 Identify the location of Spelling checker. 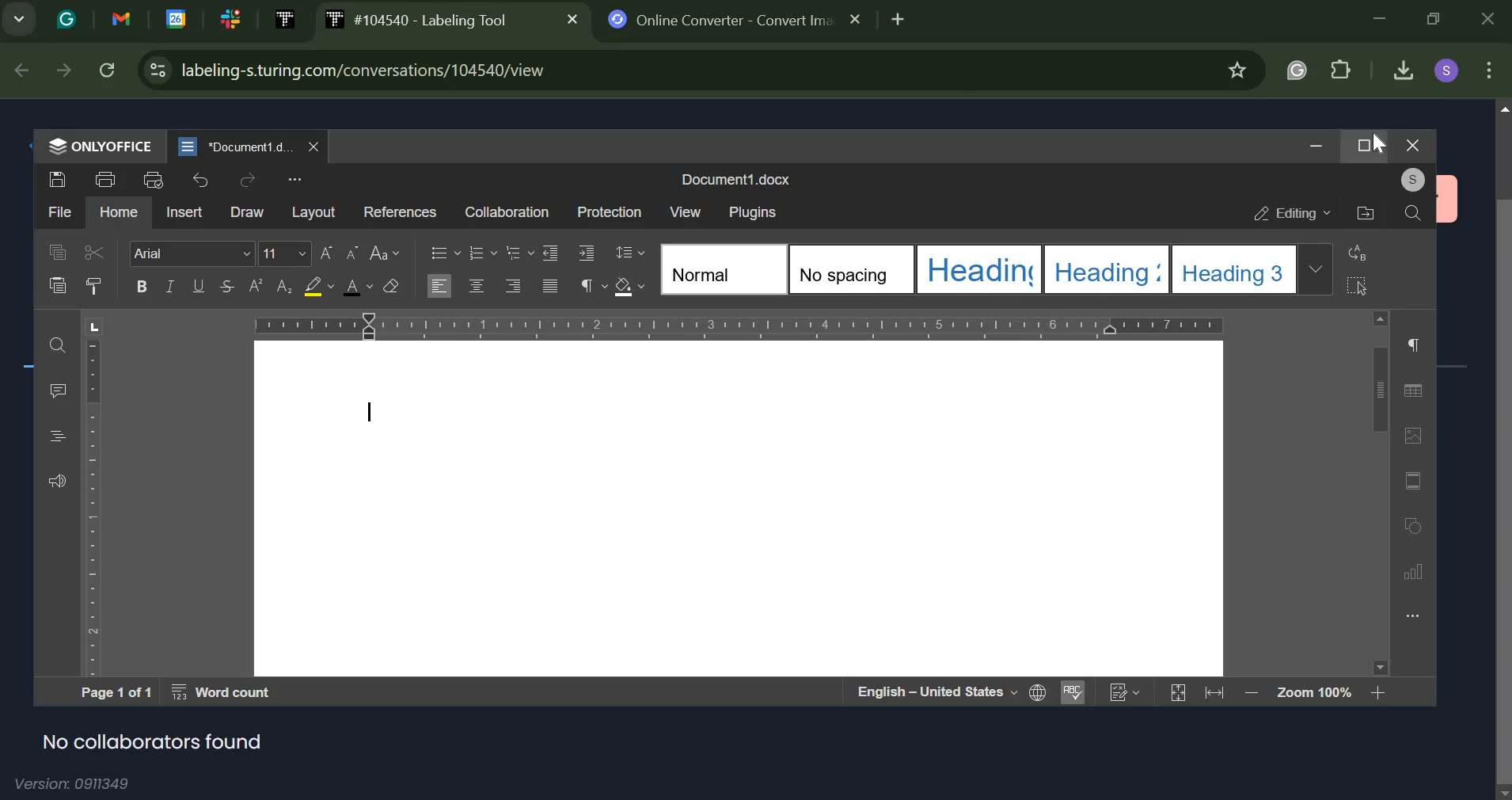
(1073, 693).